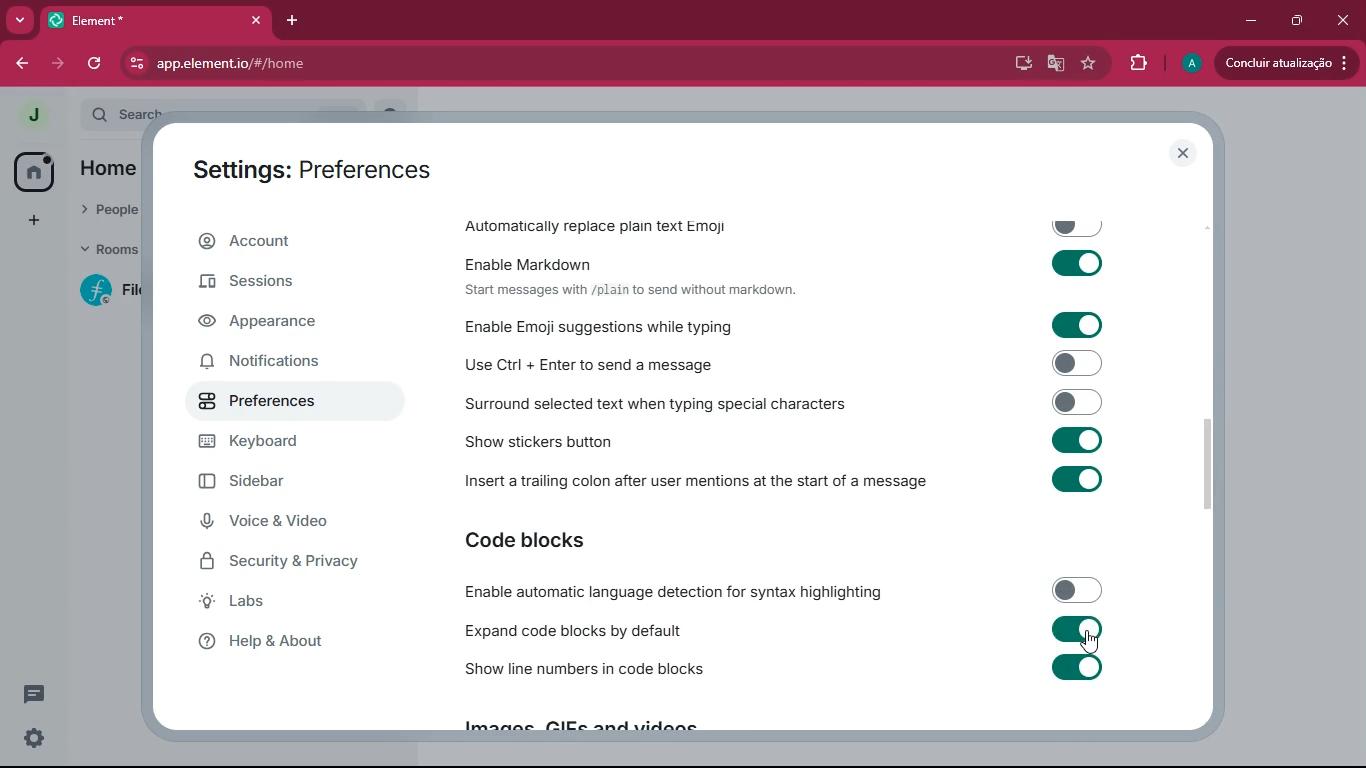 Image resolution: width=1366 pixels, height=768 pixels. What do you see at coordinates (289, 605) in the screenshot?
I see `labs` at bounding box center [289, 605].